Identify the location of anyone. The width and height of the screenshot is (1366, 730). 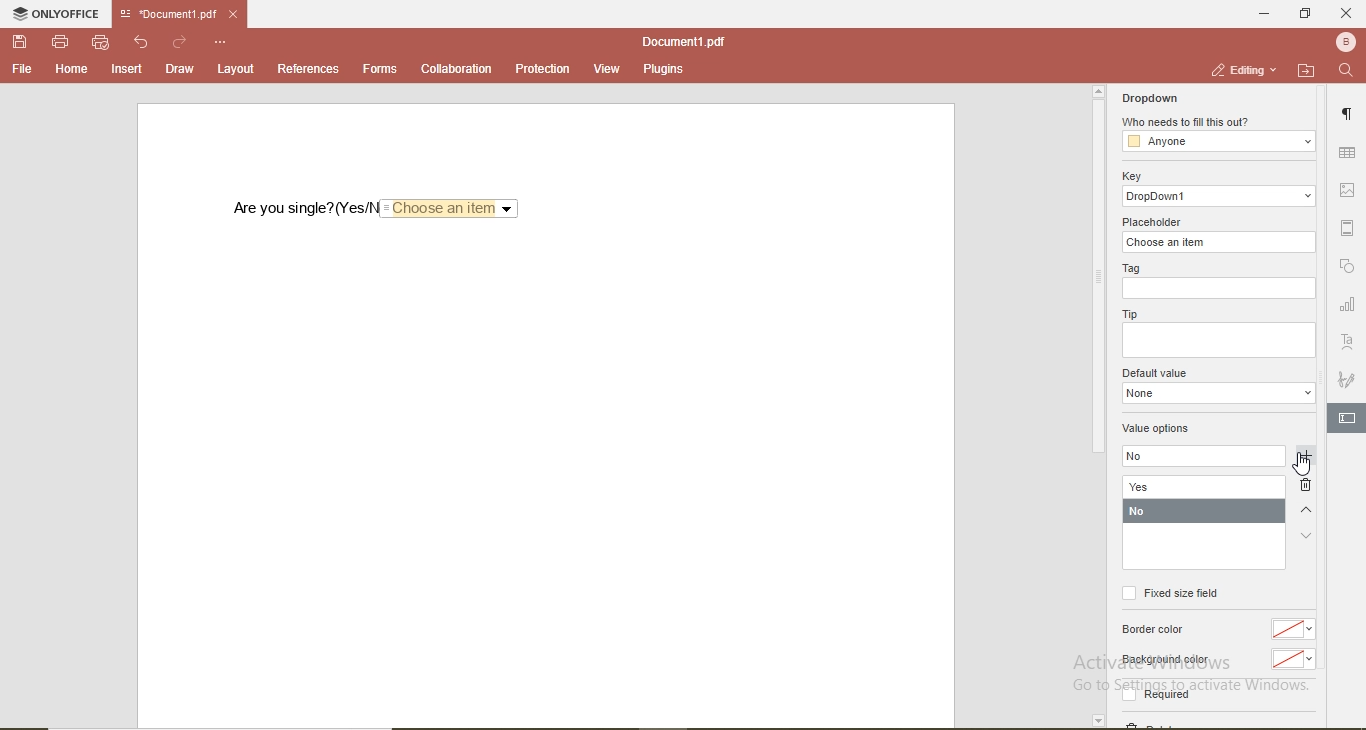
(1217, 141).